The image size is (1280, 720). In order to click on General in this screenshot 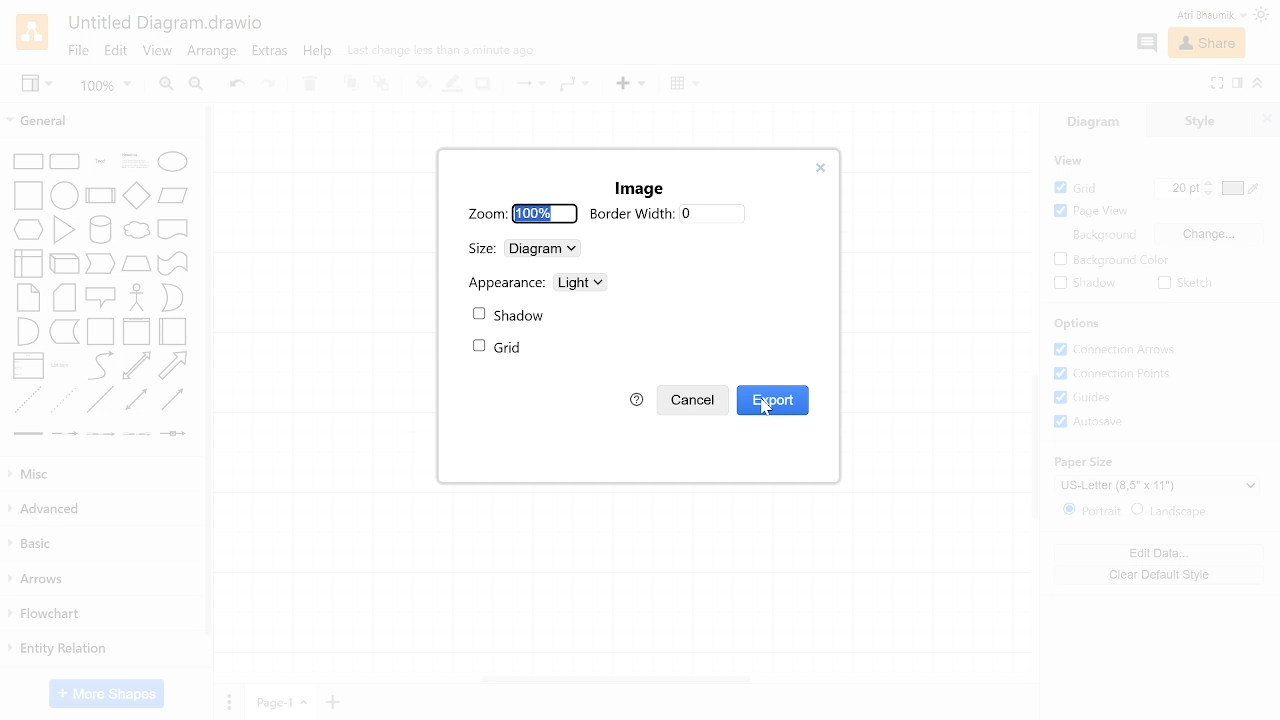, I will do `click(35, 120)`.